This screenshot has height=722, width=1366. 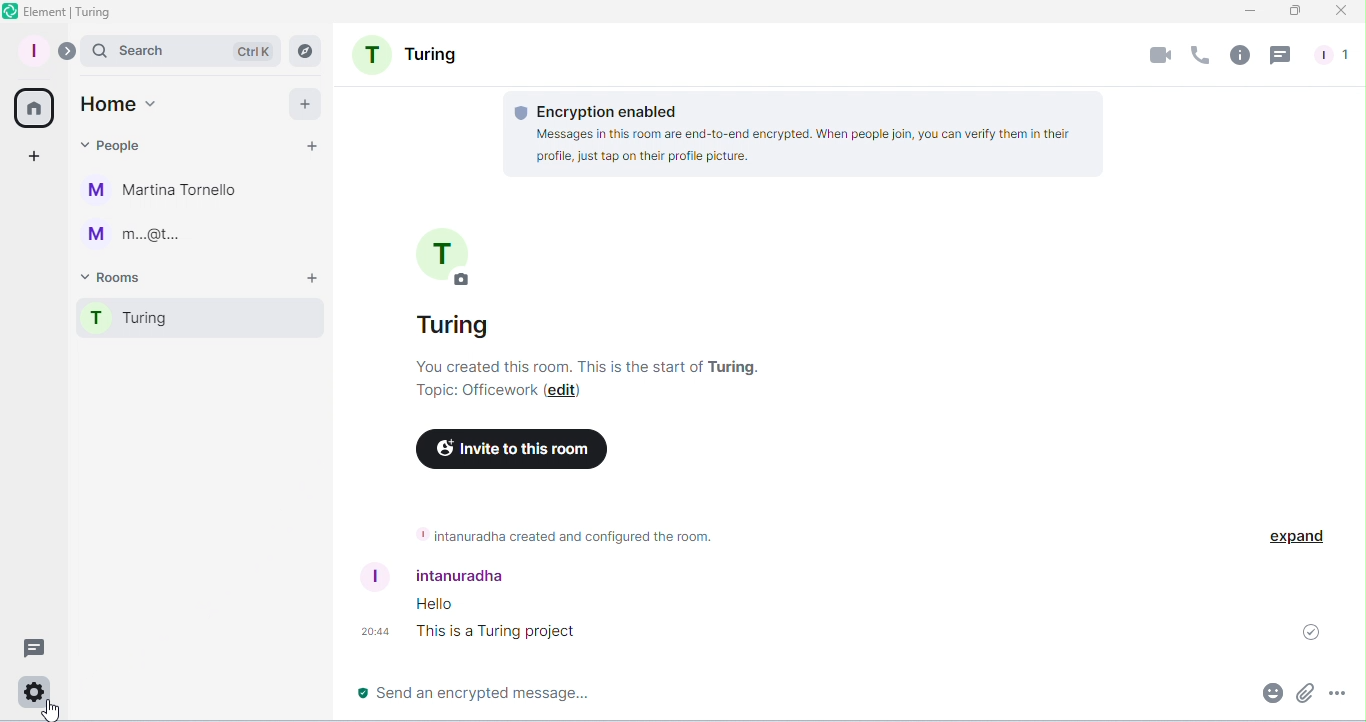 I want to click on Invite to this room, so click(x=516, y=447).